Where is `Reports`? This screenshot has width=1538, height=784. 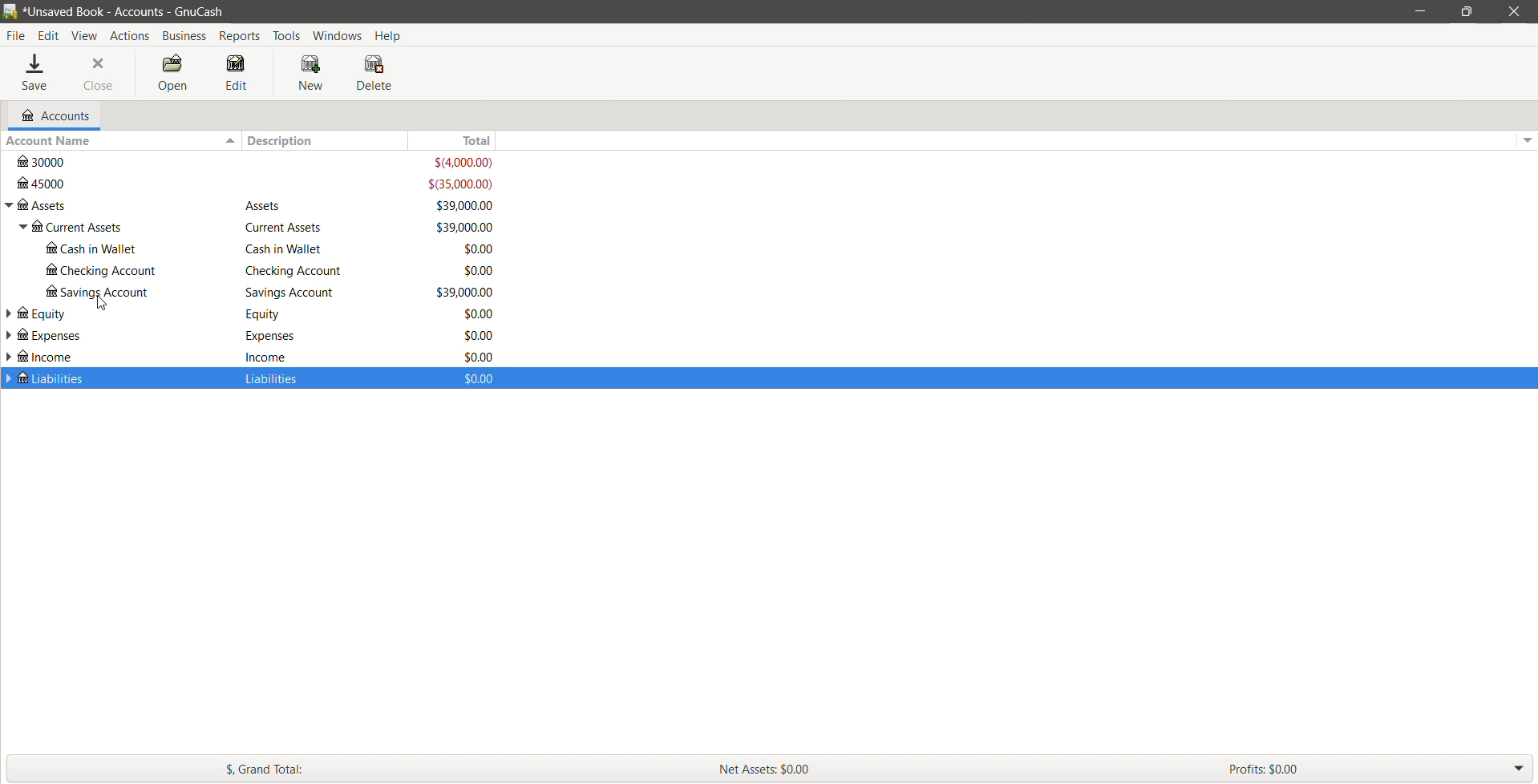 Reports is located at coordinates (242, 36).